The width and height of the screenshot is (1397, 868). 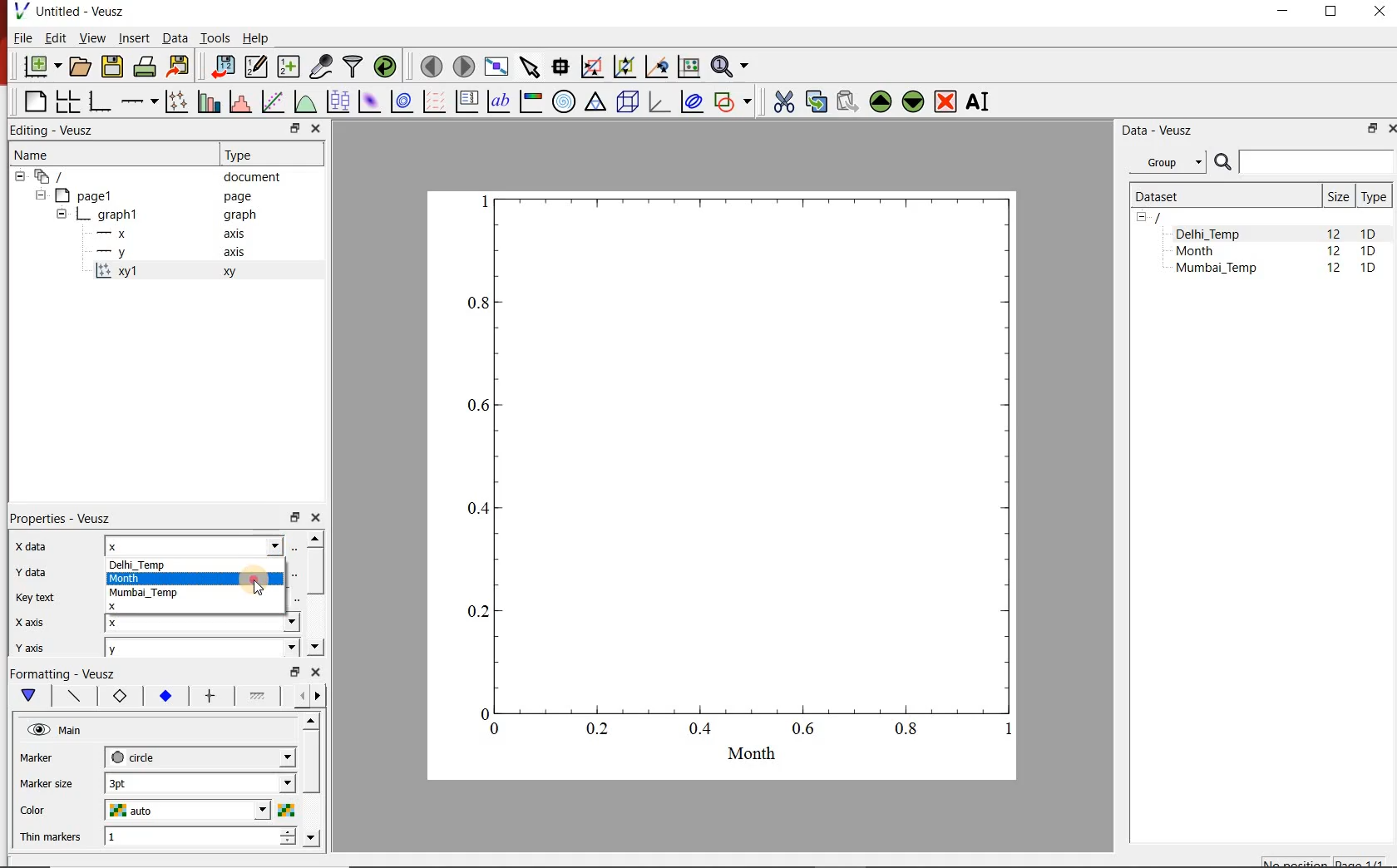 I want to click on Formatting - Veusz, so click(x=67, y=673).